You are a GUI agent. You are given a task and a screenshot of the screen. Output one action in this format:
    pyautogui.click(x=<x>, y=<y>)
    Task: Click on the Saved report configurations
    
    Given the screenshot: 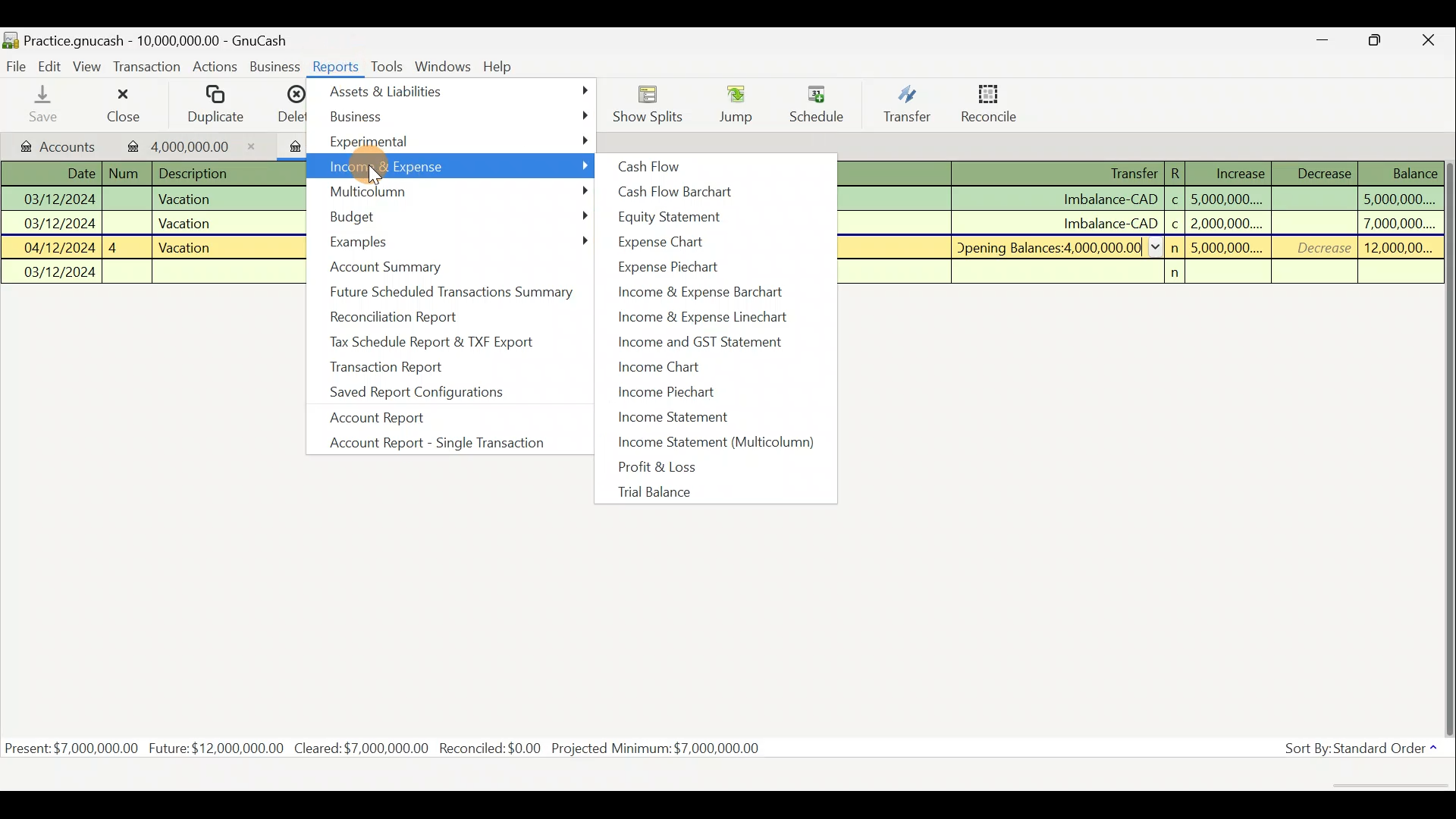 What is the action you would take?
    pyautogui.click(x=415, y=392)
    